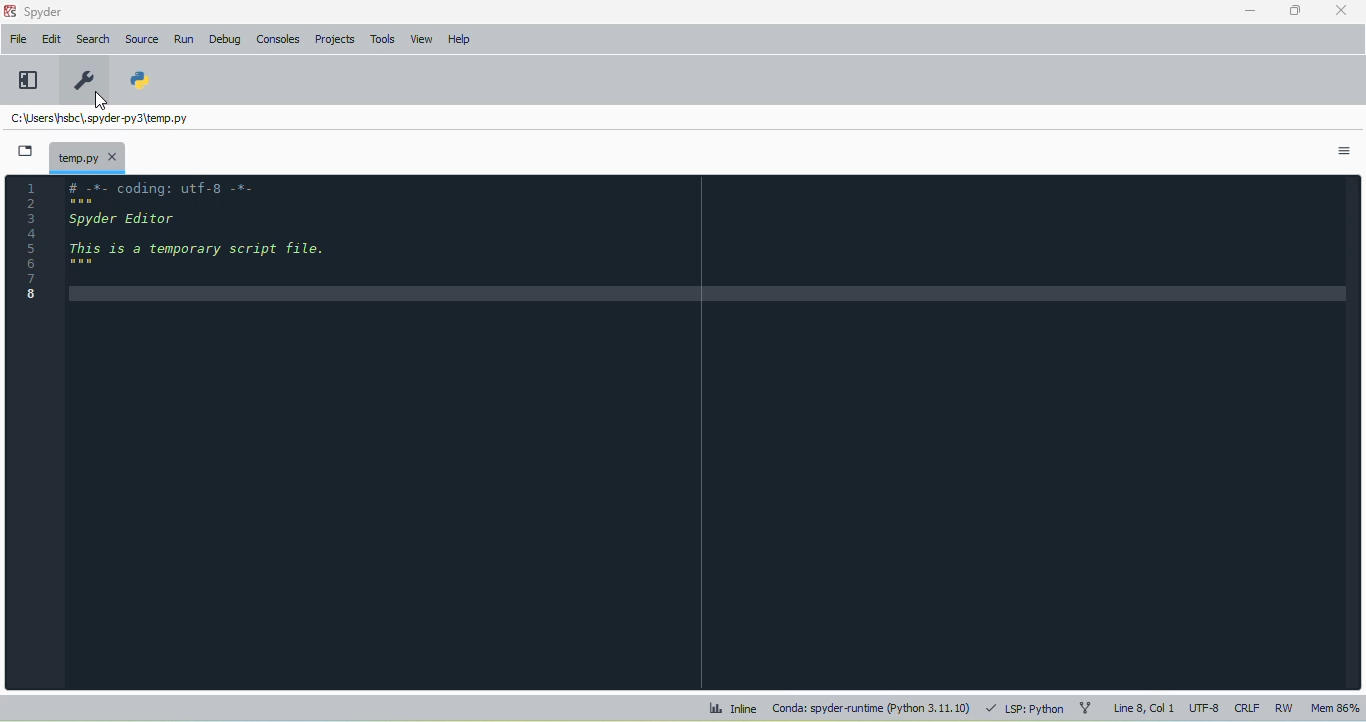  What do you see at coordinates (1340, 9) in the screenshot?
I see `close` at bounding box center [1340, 9].